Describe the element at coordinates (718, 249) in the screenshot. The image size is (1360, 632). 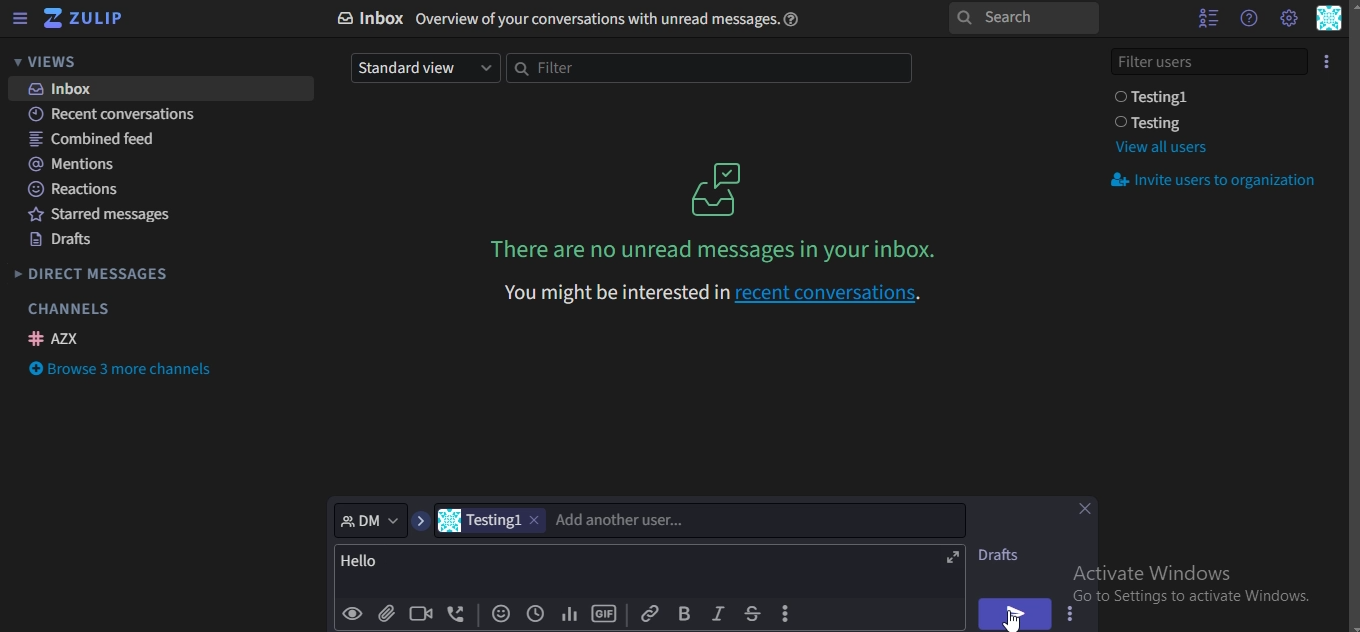
I see `There are no unread messages in your inbox.` at that location.